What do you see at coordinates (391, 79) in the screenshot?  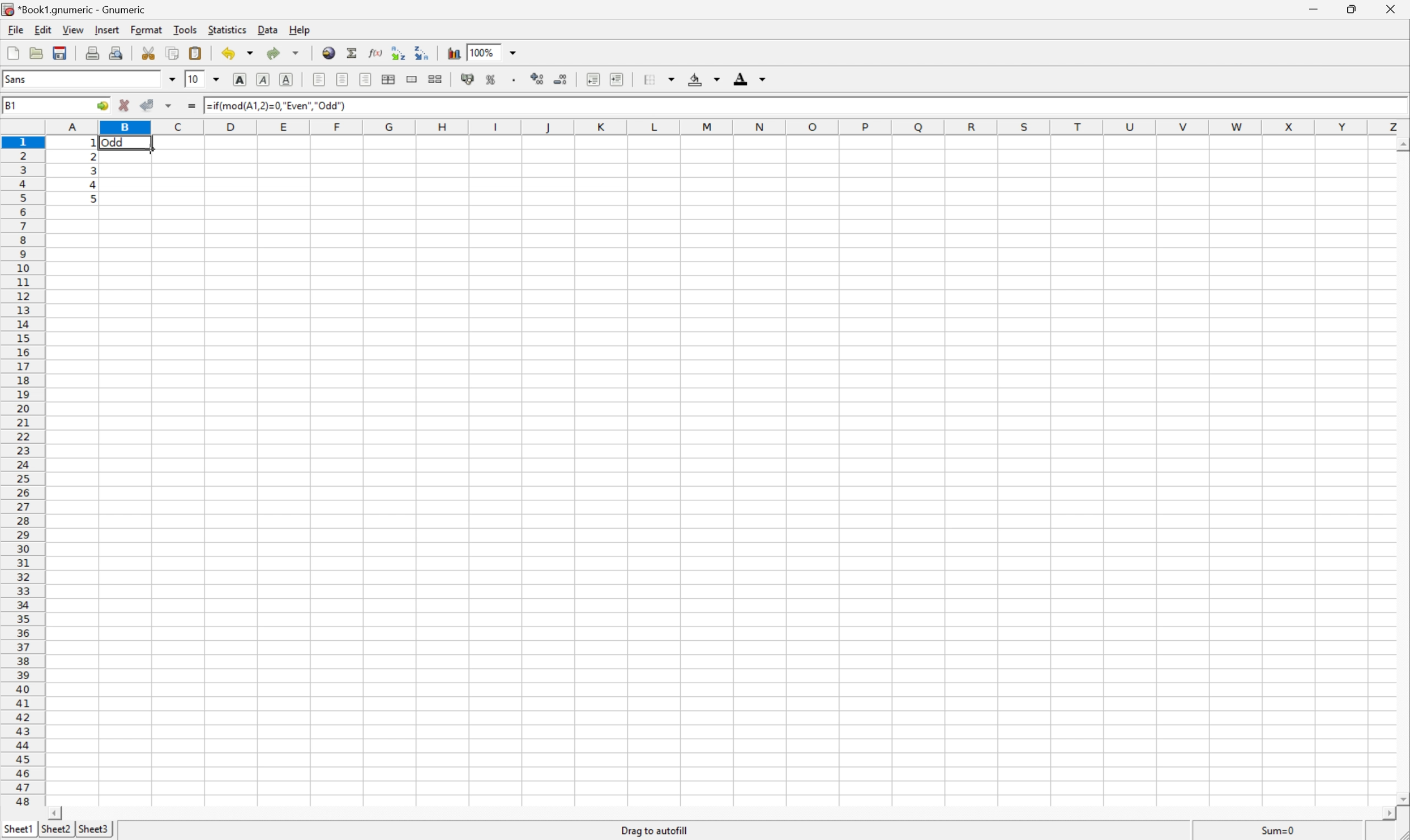 I see `Center horizontally across selection` at bounding box center [391, 79].